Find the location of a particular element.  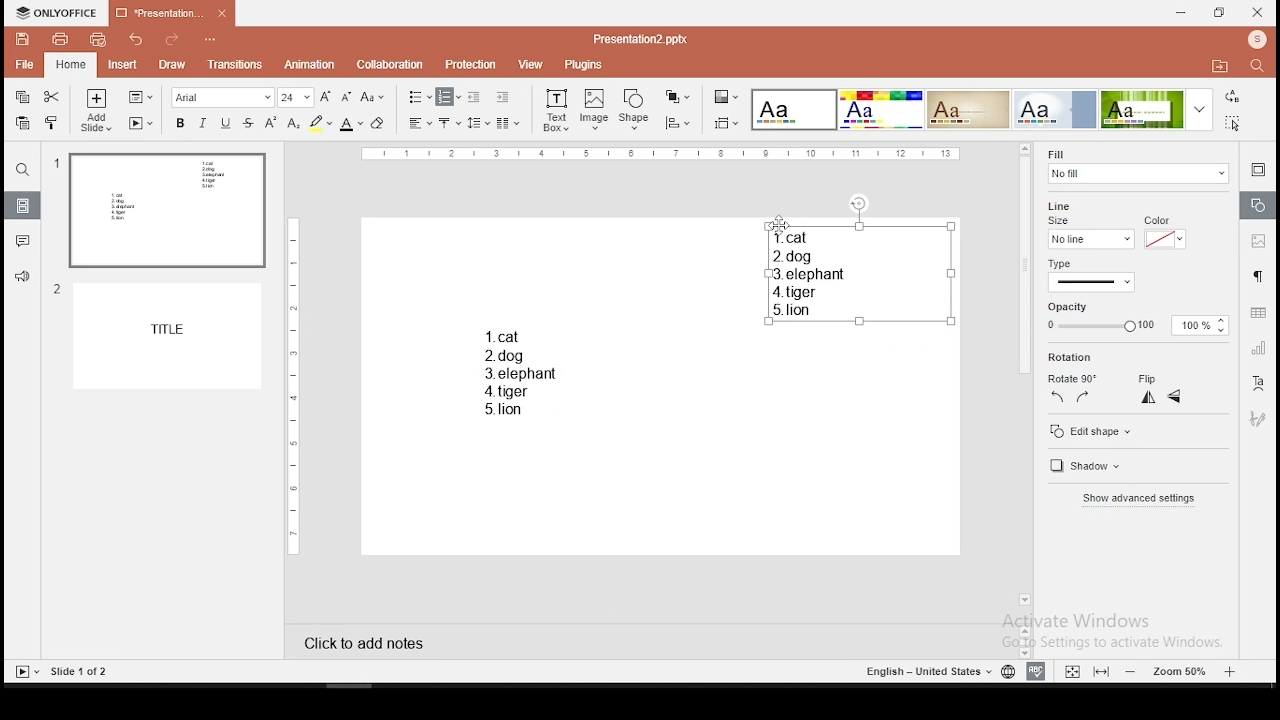

opacity is located at coordinates (1138, 318).